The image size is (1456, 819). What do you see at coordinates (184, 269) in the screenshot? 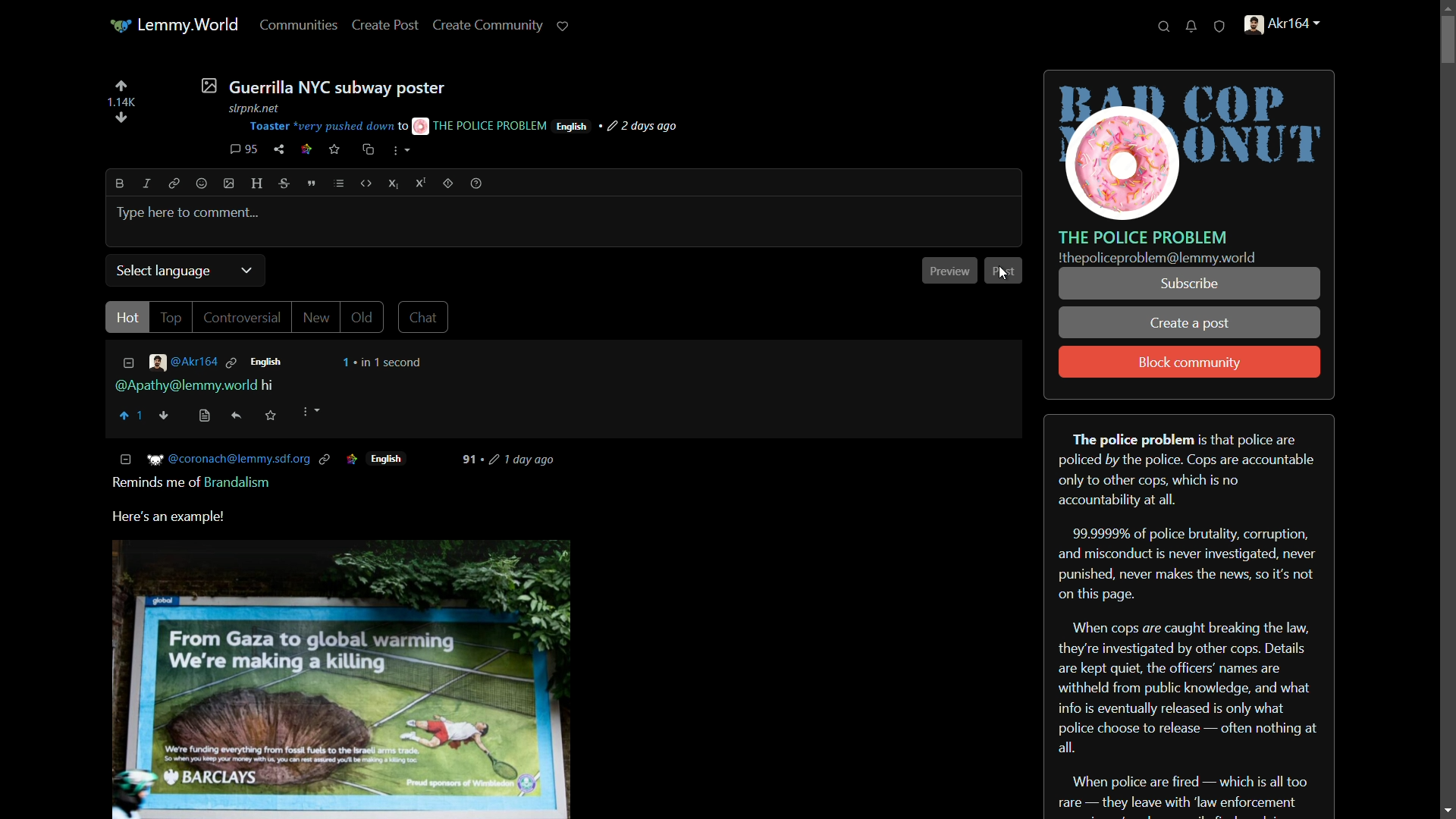
I see `Select language v` at bounding box center [184, 269].